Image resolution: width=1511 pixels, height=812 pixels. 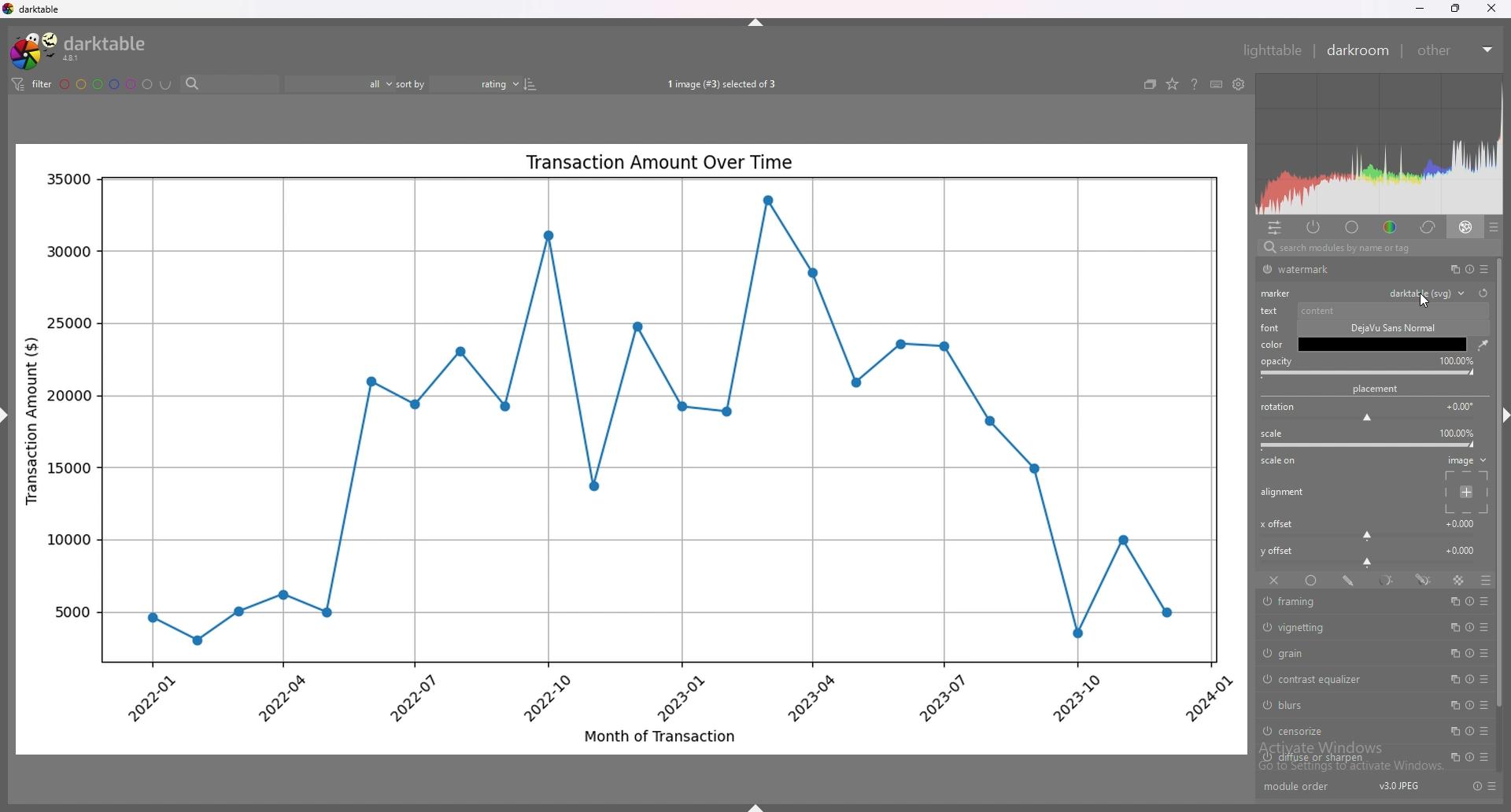 What do you see at coordinates (340, 83) in the screenshot?
I see `filter by rating` at bounding box center [340, 83].